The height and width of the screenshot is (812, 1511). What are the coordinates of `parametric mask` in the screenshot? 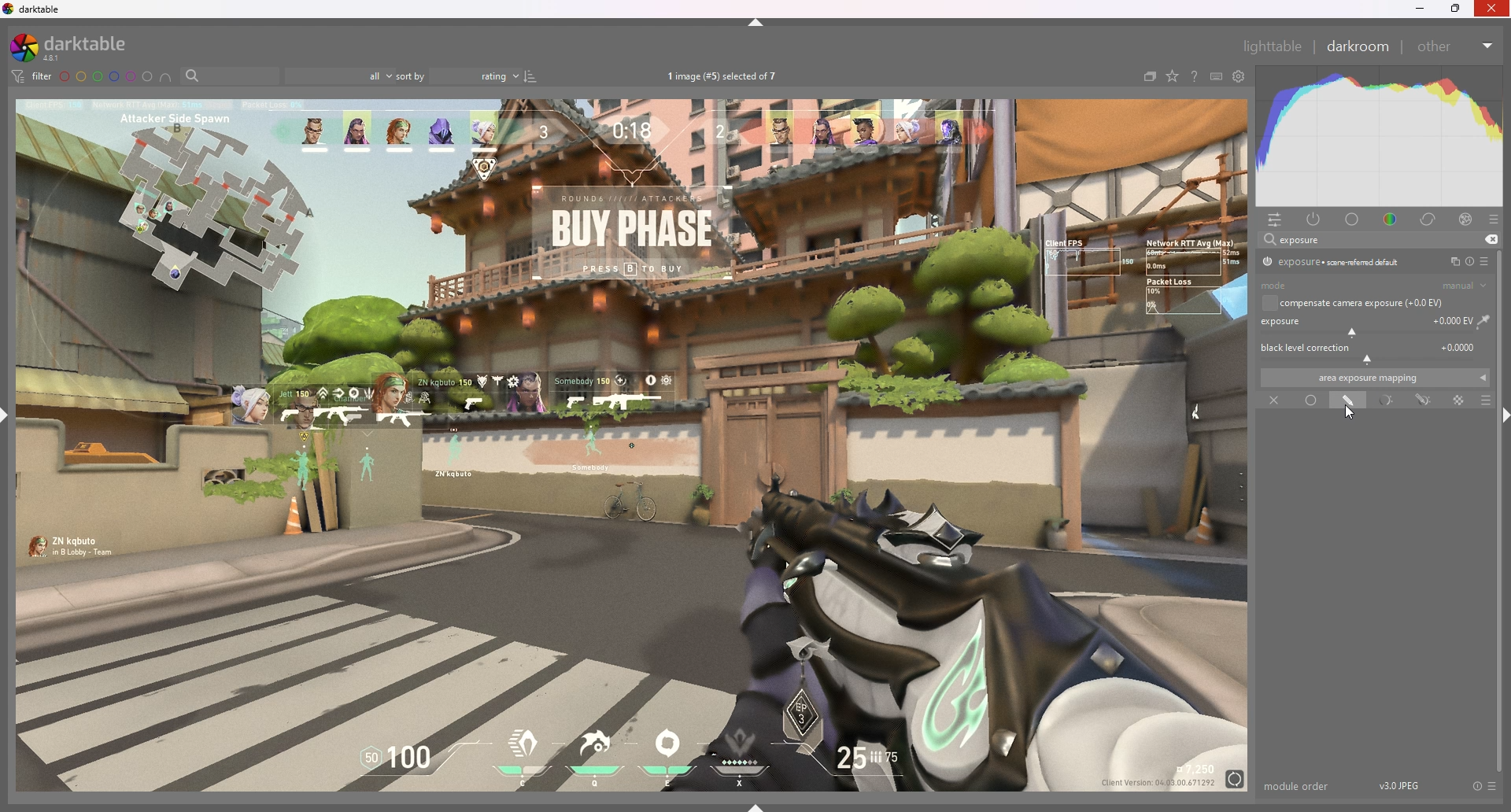 It's located at (1386, 401).